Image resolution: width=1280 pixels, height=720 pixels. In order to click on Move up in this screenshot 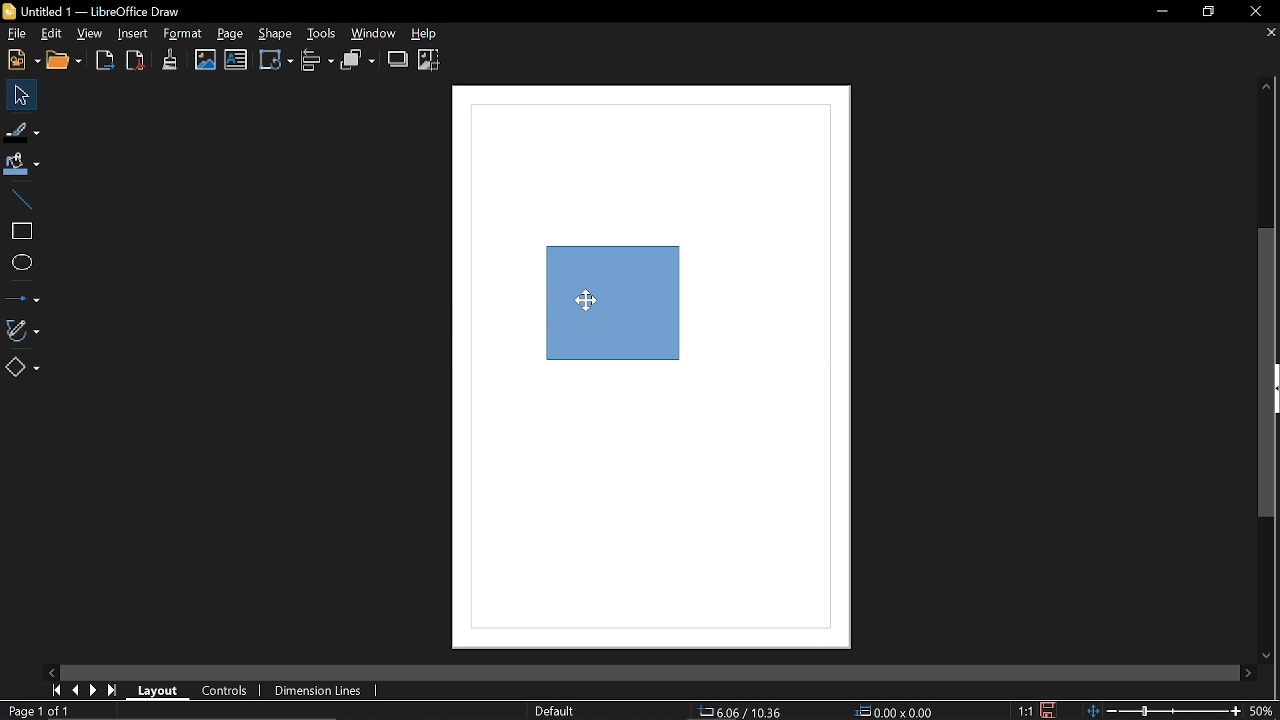, I will do `click(1265, 88)`.